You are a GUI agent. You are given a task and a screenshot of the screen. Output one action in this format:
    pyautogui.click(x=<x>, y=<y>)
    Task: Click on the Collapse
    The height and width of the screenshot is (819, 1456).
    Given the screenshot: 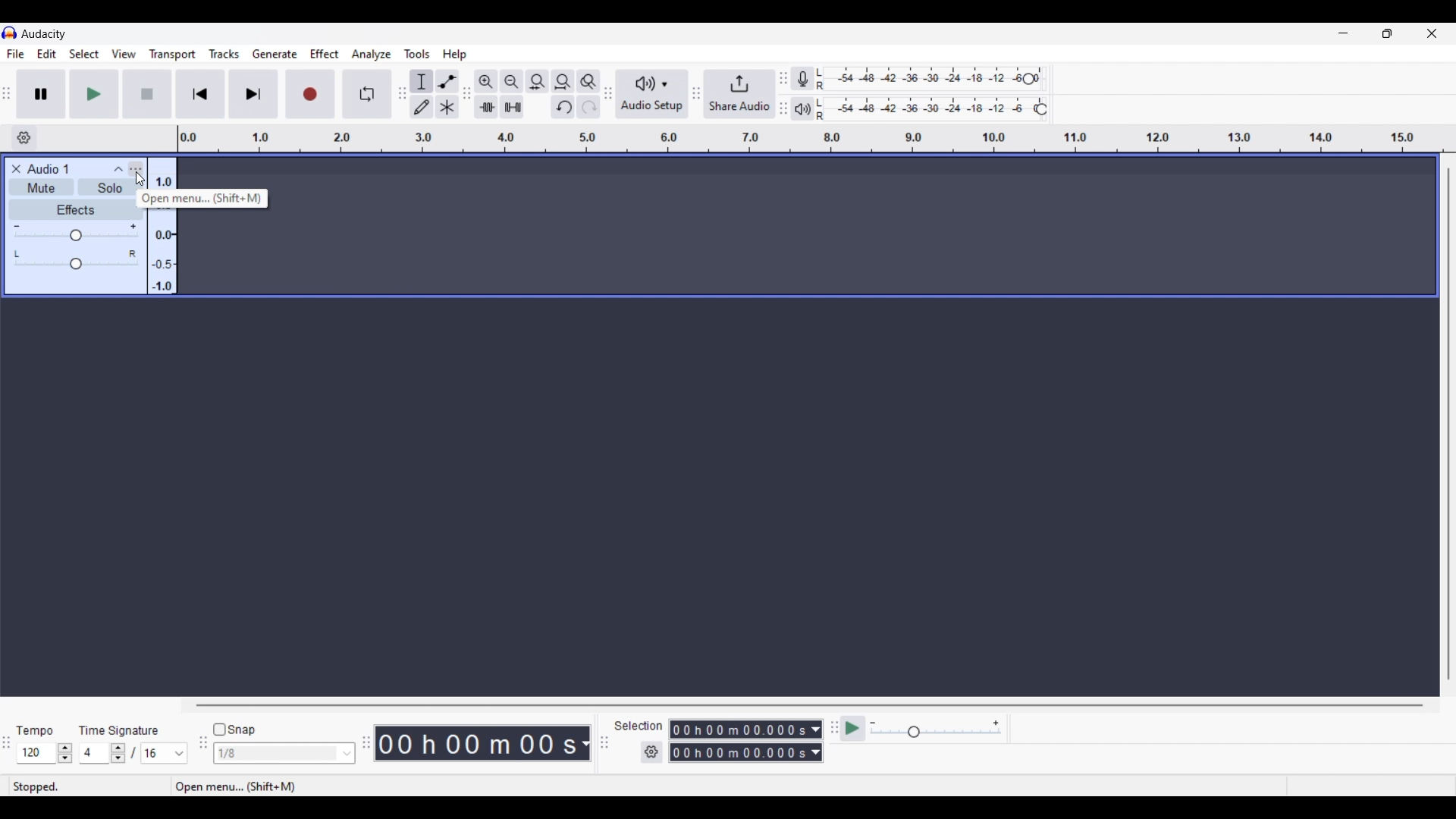 What is the action you would take?
    pyautogui.click(x=118, y=169)
    